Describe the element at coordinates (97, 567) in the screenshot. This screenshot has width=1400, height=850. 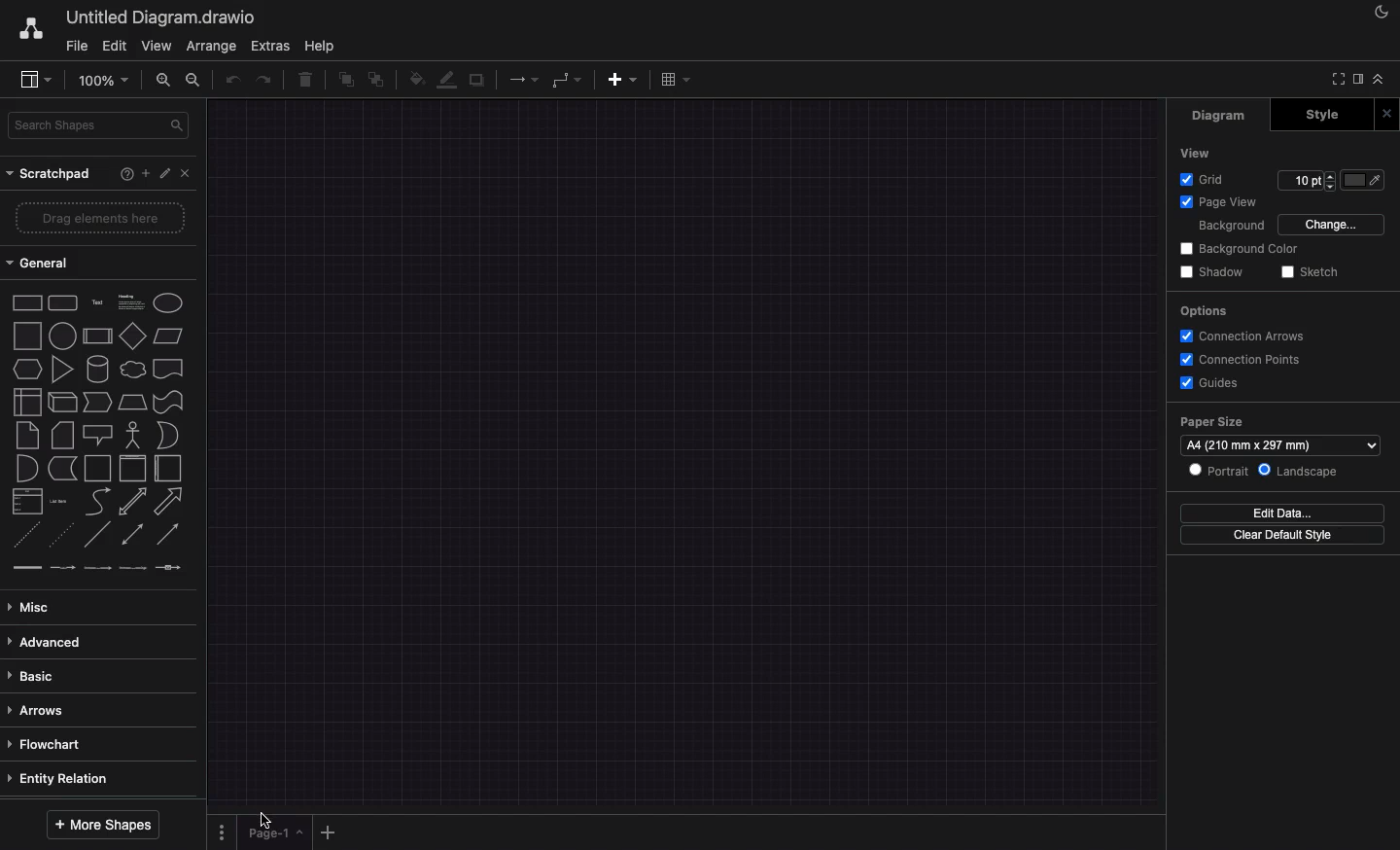
I see `connector with 2 labels` at that location.